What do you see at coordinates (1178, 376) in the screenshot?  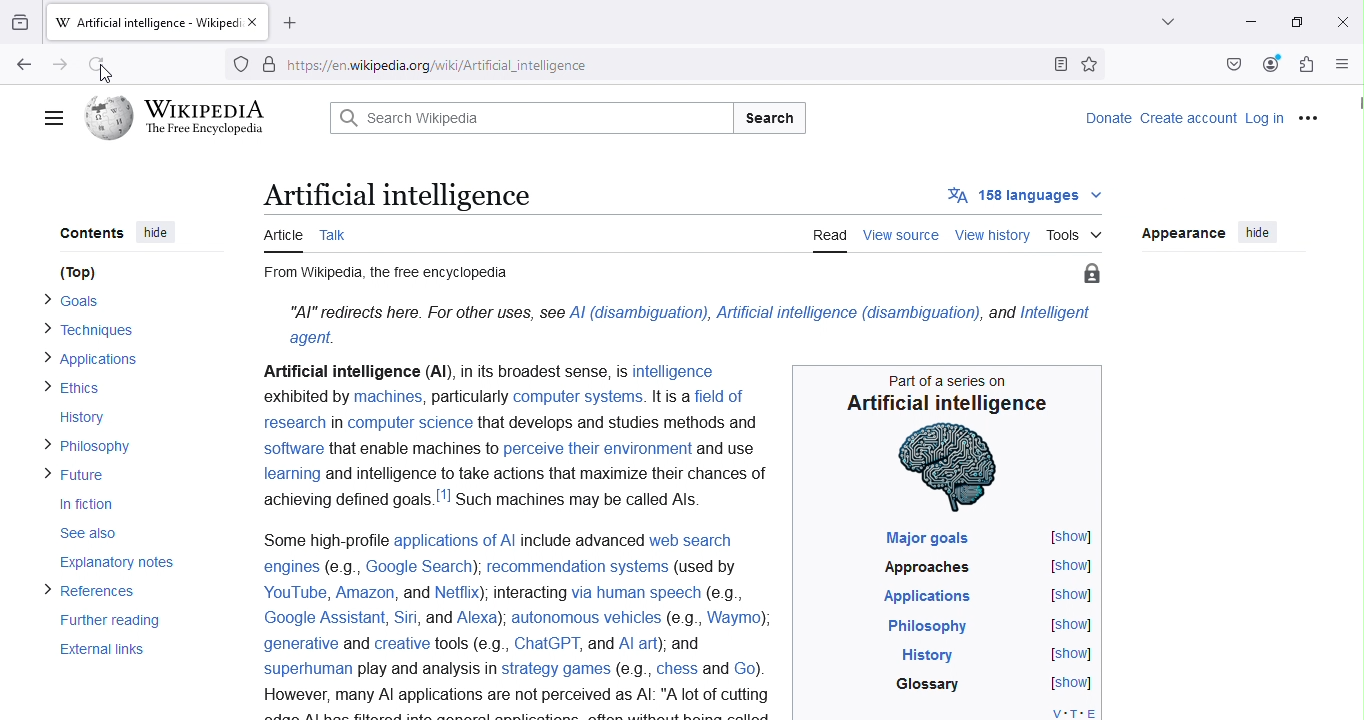 I see `Large` at bounding box center [1178, 376].